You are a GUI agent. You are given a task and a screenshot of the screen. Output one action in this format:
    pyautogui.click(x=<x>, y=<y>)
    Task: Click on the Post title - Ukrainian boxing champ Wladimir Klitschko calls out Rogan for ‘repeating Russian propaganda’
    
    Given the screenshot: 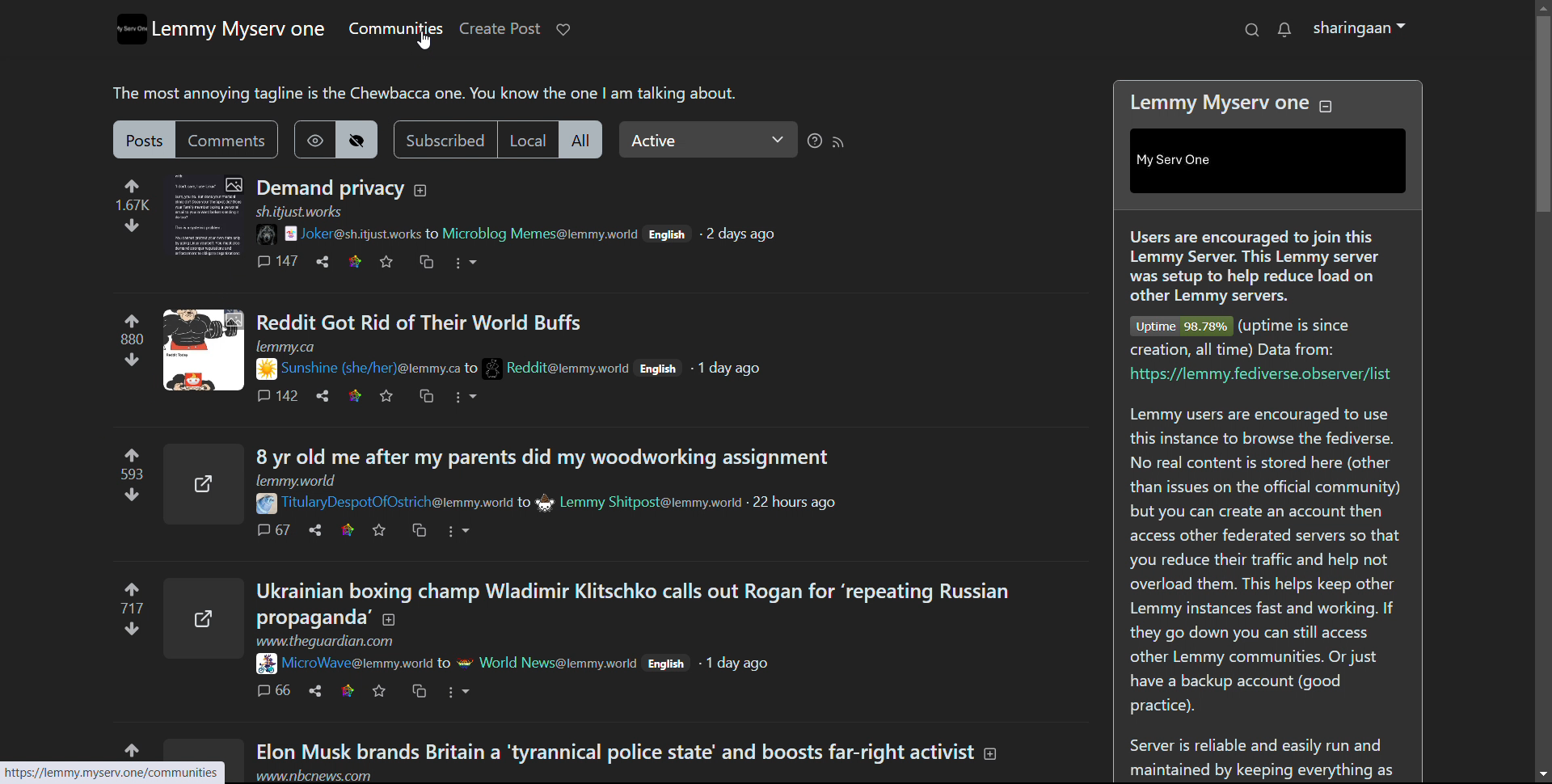 What is the action you would take?
    pyautogui.click(x=634, y=603)
    